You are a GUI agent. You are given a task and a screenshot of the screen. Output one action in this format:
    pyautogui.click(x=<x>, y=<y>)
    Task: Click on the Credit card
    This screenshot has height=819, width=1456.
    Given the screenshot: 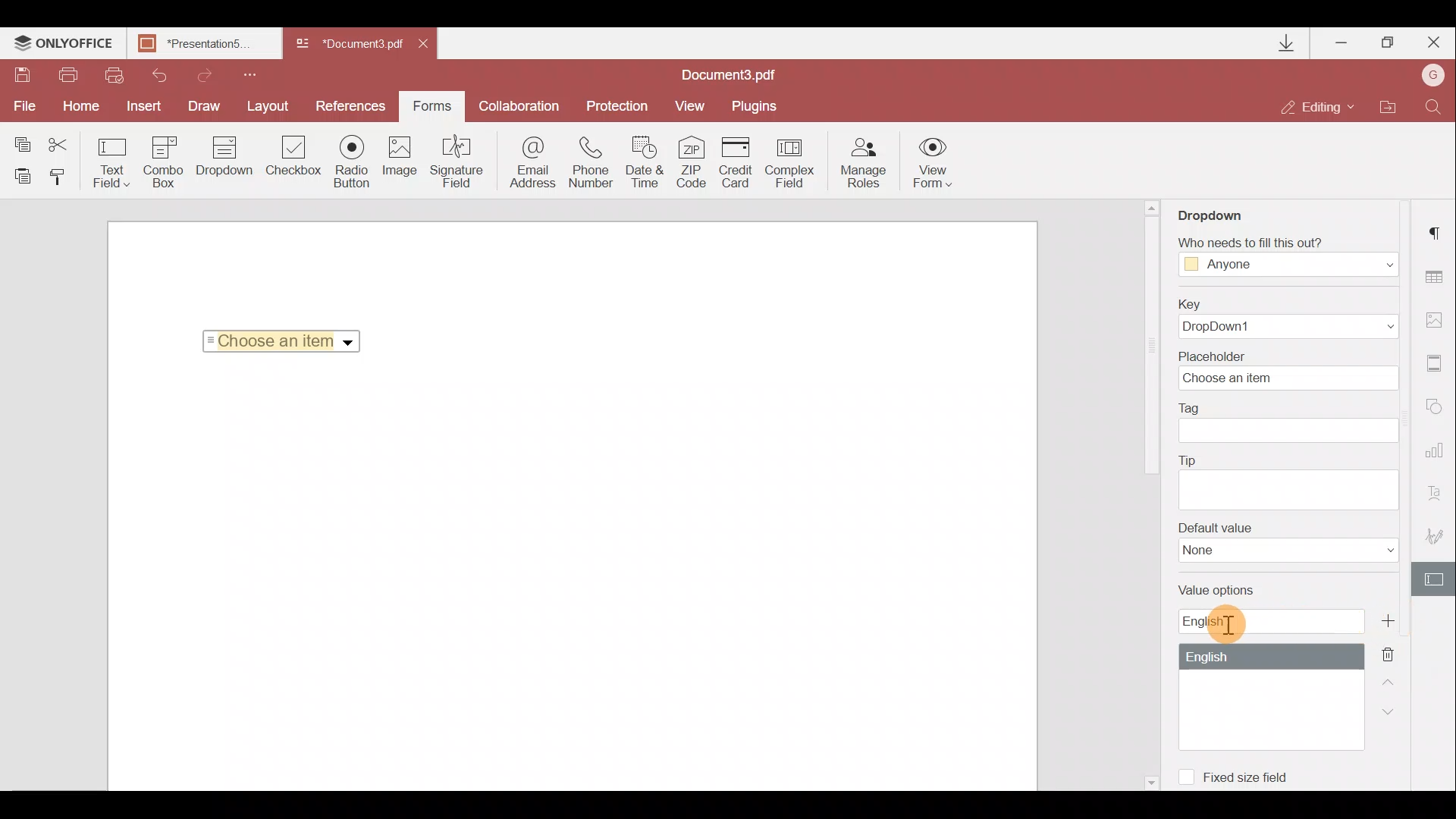 What is the action you would take?
    pyautogui.click(x=740, y=160)
    